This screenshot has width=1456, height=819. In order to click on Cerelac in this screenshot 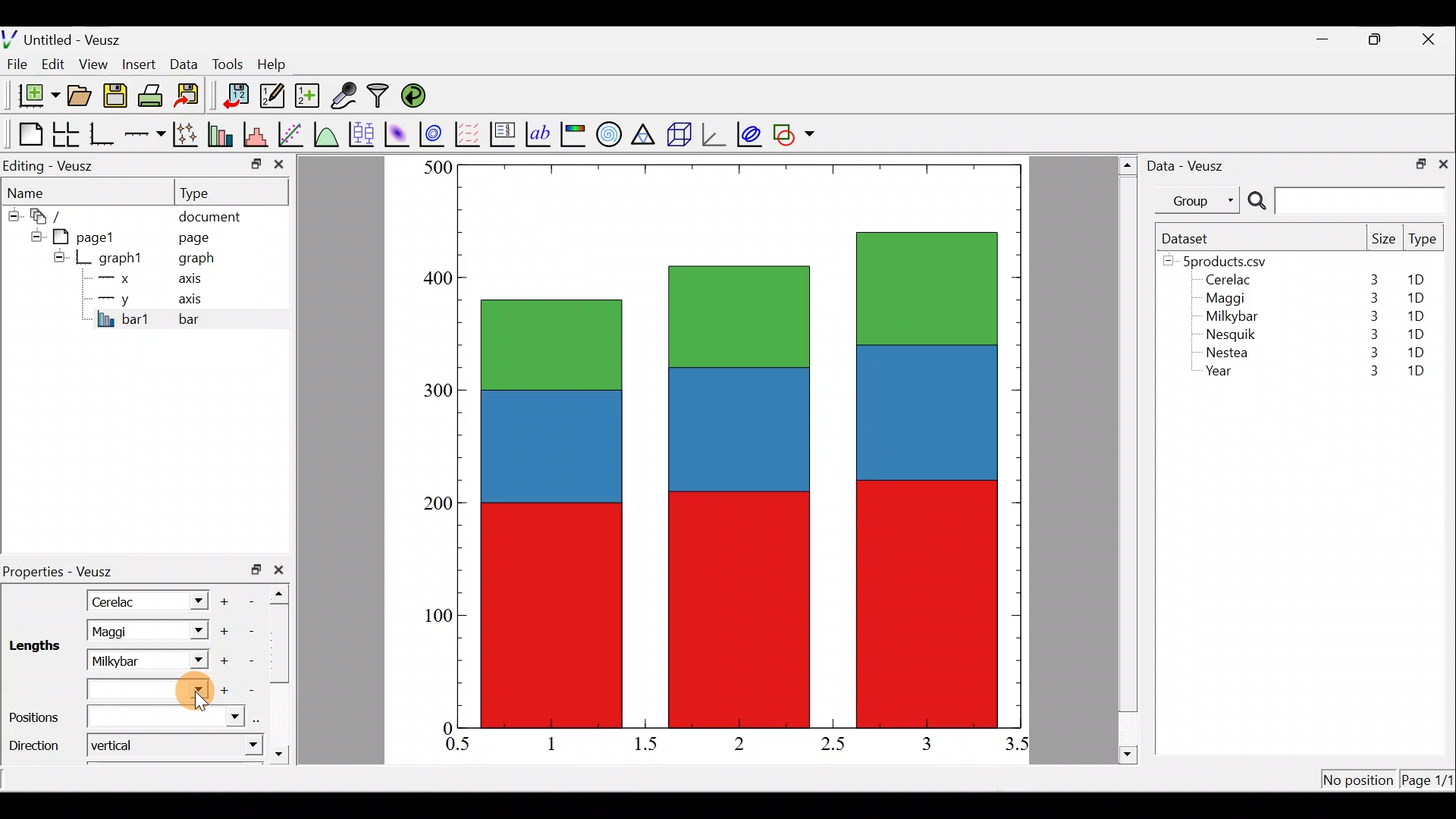, I will do `click(1225, 281)`.